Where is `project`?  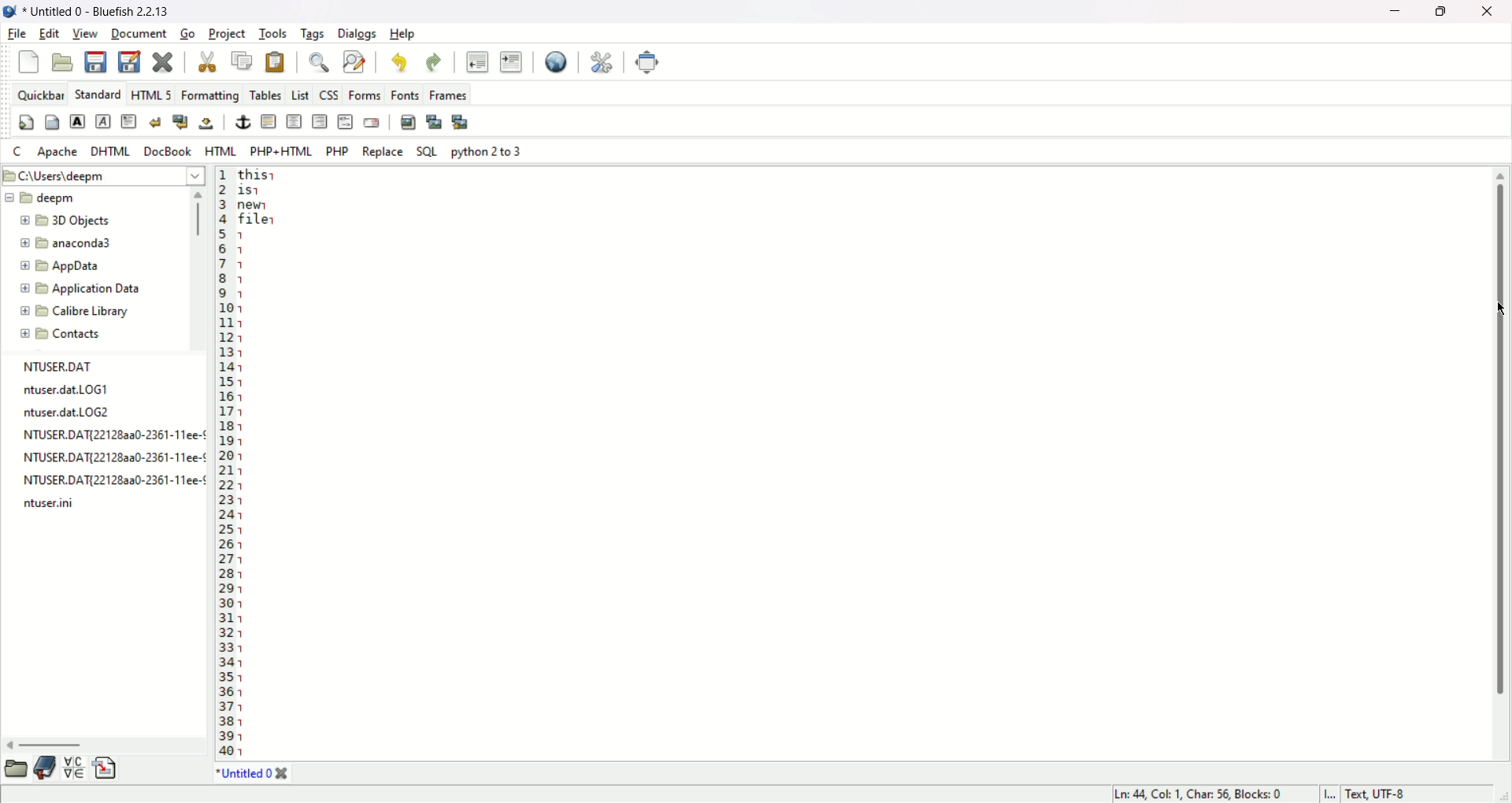
project is located at coordinates (228, 35).